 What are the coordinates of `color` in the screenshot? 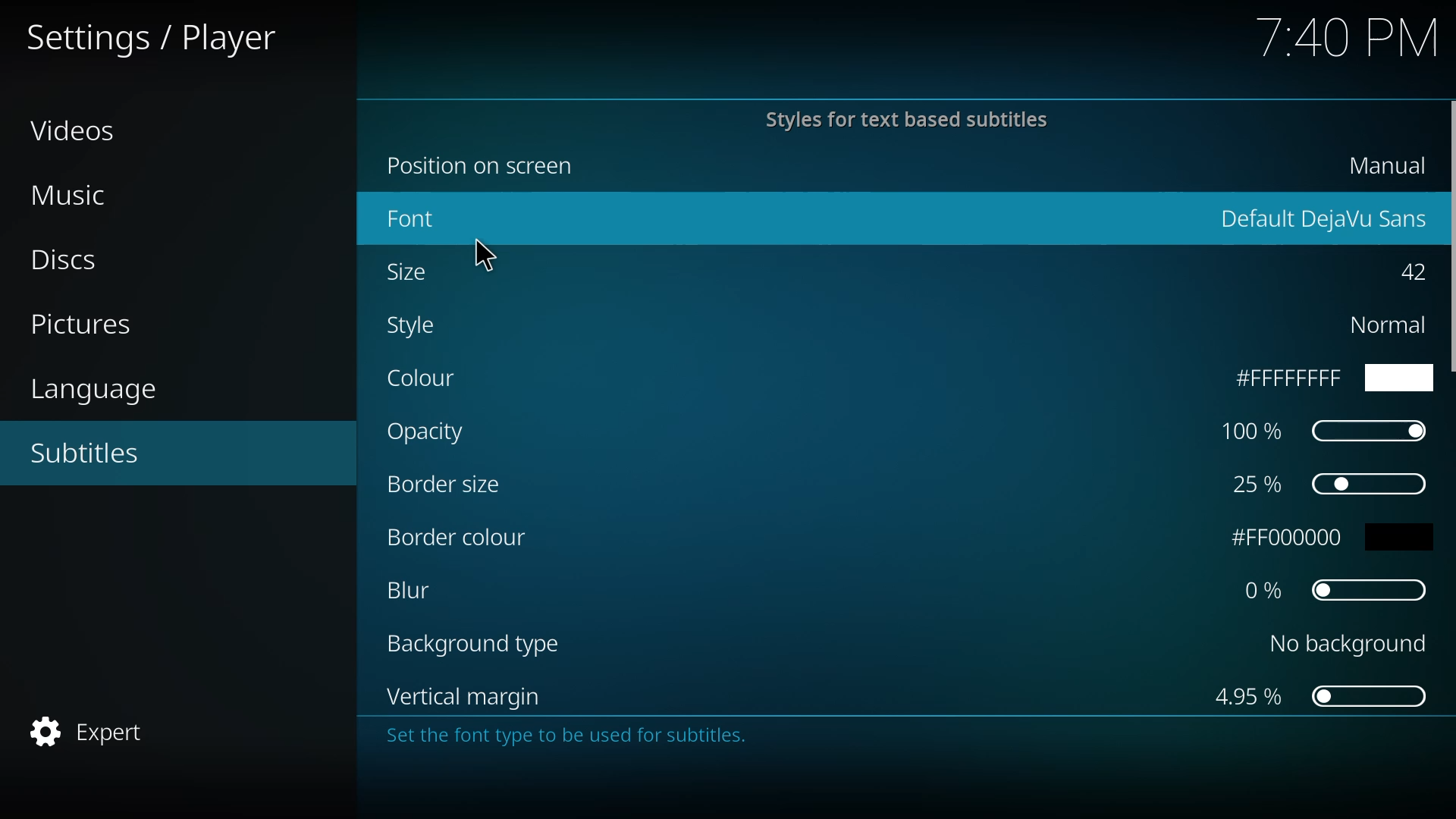 It's located at (425, 380).